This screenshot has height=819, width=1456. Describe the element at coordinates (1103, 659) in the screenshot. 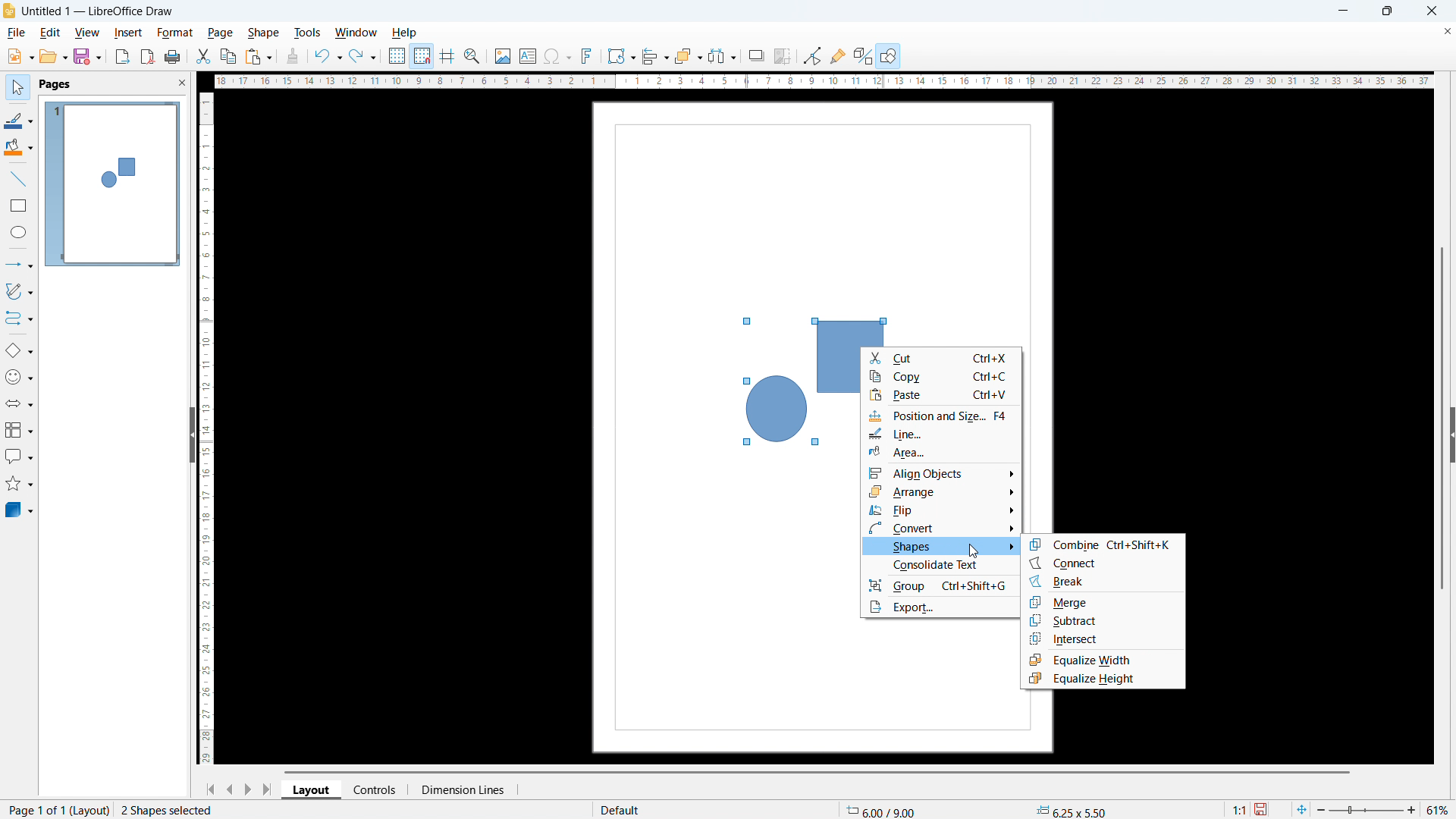

I see `equalize width` at that location.